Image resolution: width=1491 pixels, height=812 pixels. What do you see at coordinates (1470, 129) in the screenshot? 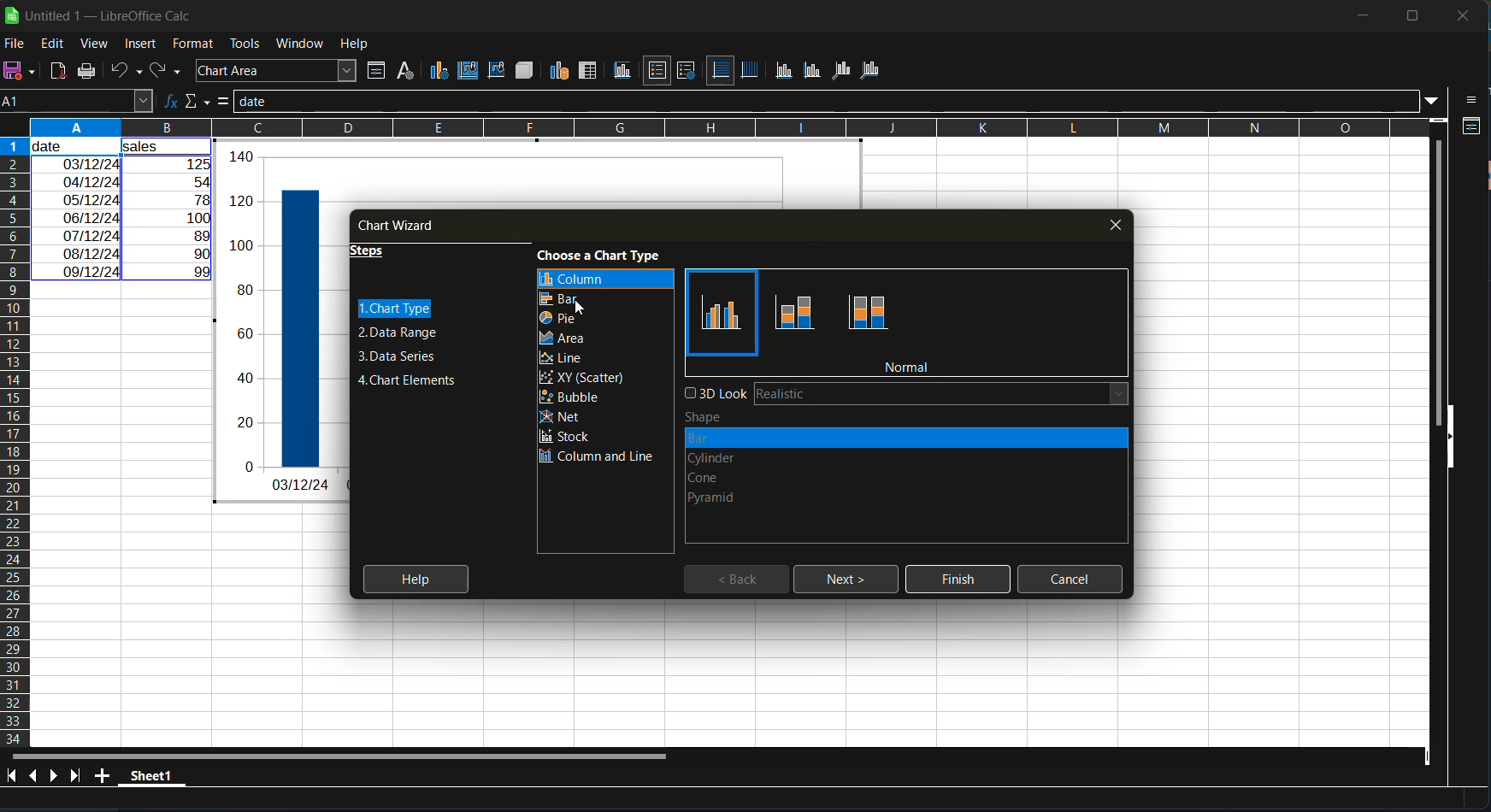
I see `properties` at bounding box center [1470, 129].